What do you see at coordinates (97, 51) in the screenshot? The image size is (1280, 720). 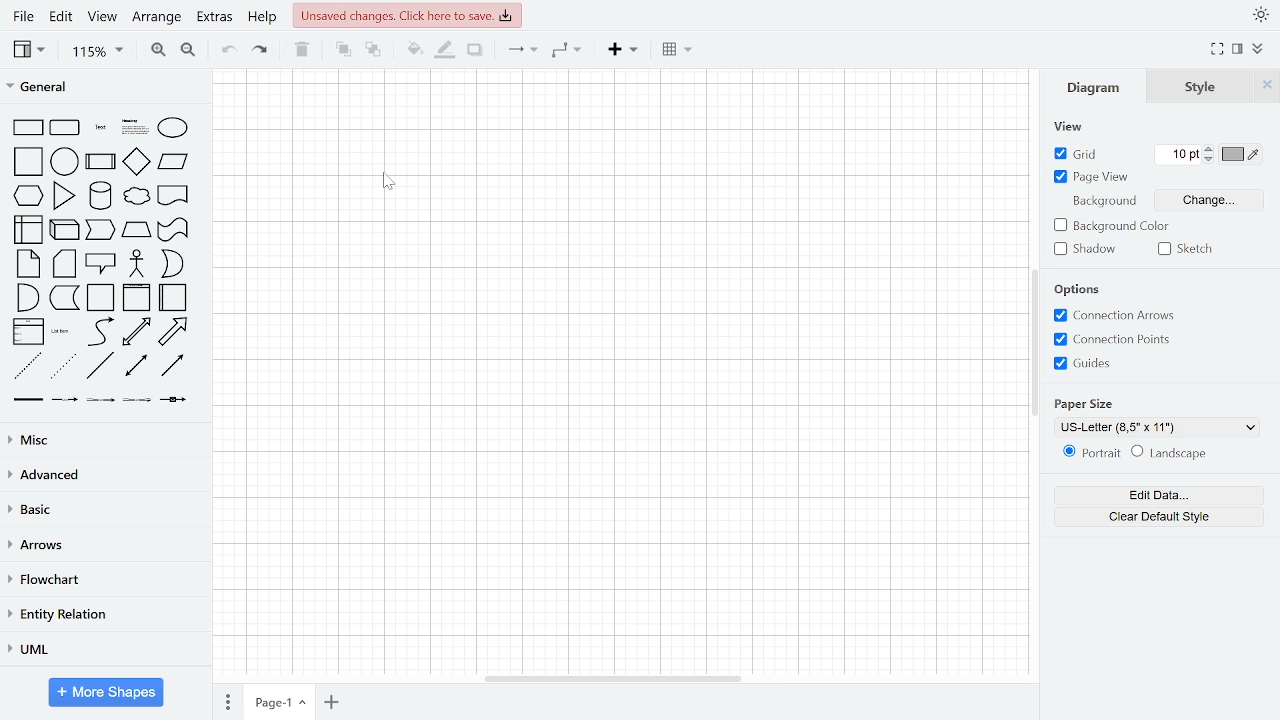 I see `zoom` at bounding box center [97, 51].